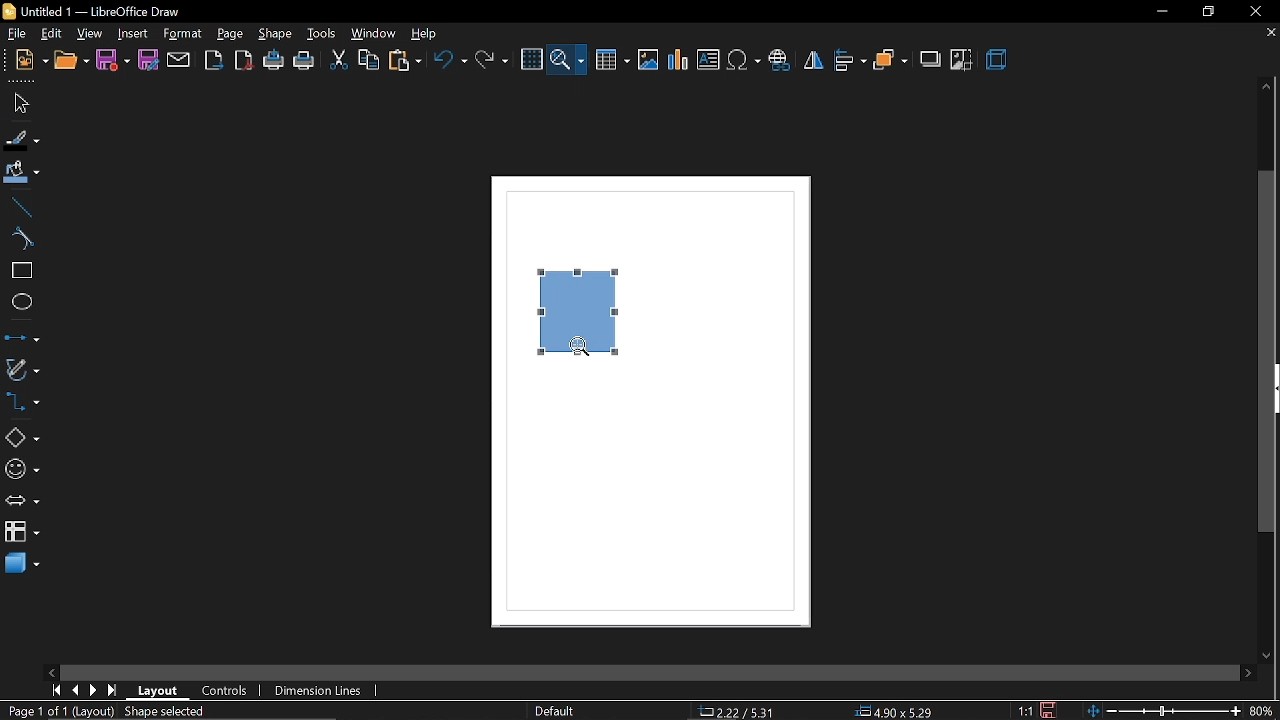 This screenshot has width=1280, height=720. I want to click on Insert symbol, so click(745, 60).